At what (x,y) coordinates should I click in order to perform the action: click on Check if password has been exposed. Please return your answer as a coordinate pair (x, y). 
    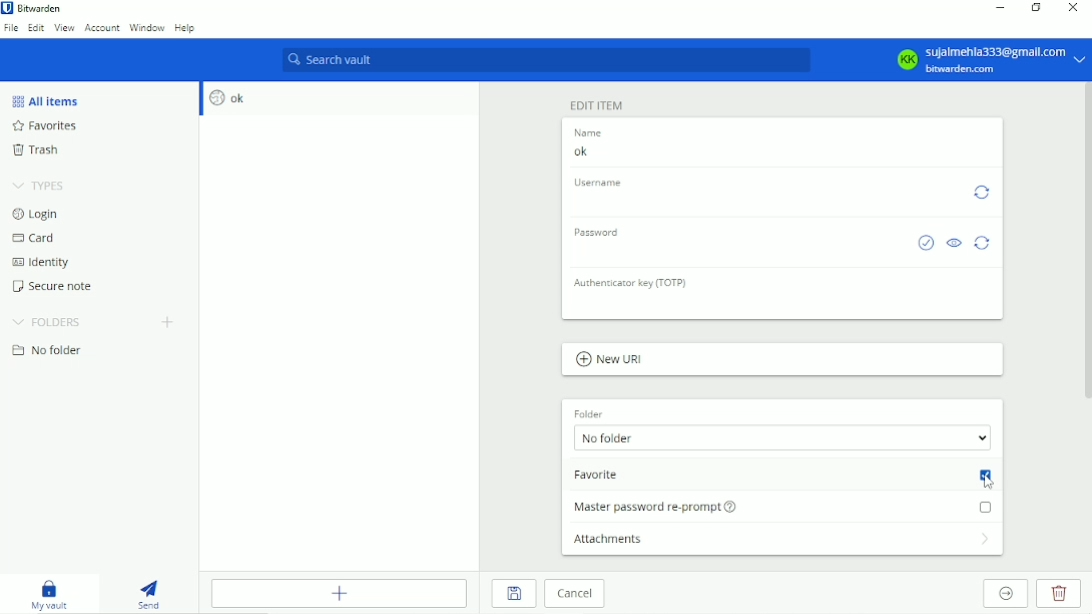
    Looking at the image, I should click on (925, 243).